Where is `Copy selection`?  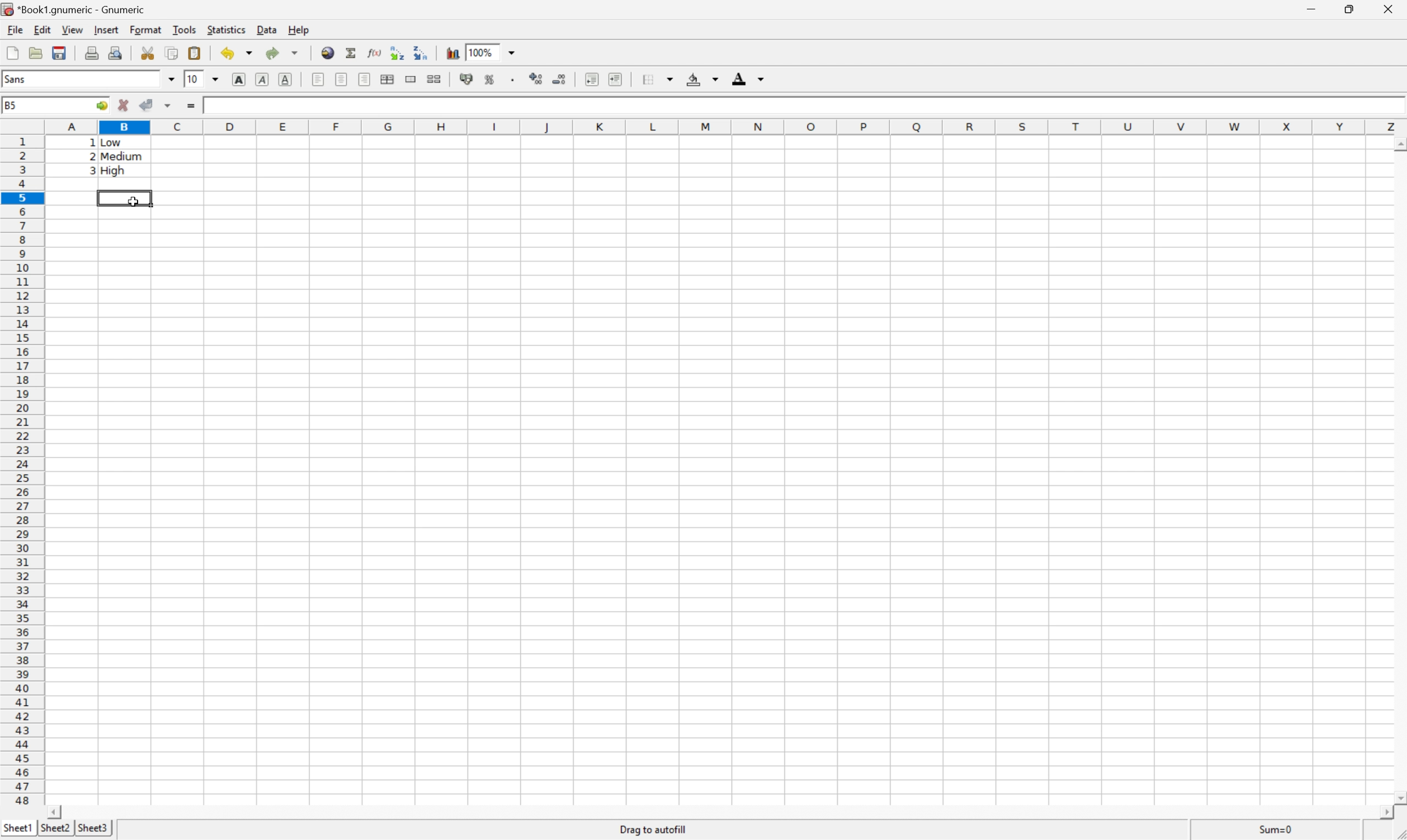
Copy selection is located at coordinates (173, 54).